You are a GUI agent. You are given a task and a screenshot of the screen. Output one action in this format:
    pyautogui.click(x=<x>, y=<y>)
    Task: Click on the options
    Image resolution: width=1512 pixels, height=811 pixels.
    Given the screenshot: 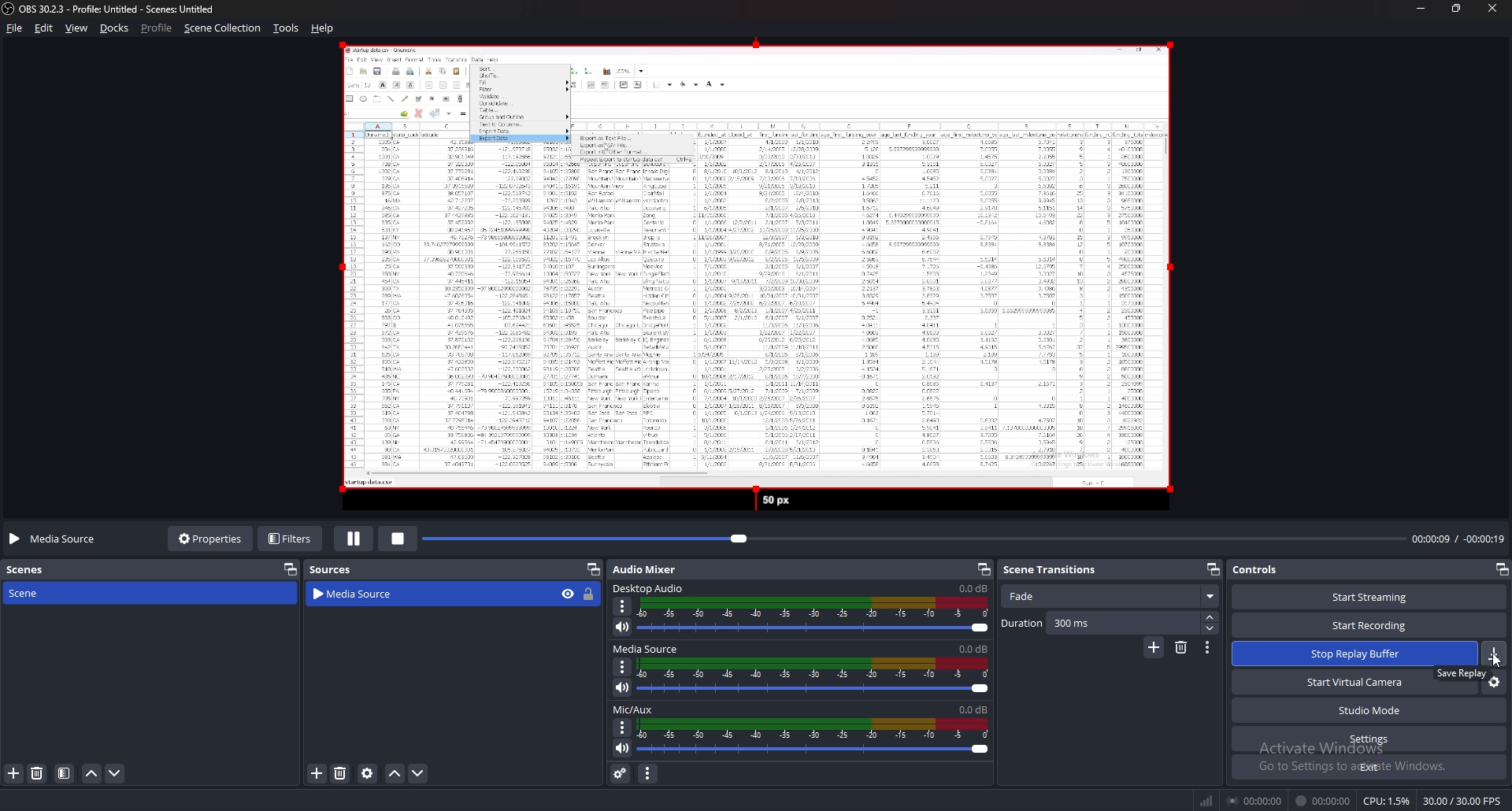 What is the action you would take?
    pyautogui.click(x=623, y=728)
    